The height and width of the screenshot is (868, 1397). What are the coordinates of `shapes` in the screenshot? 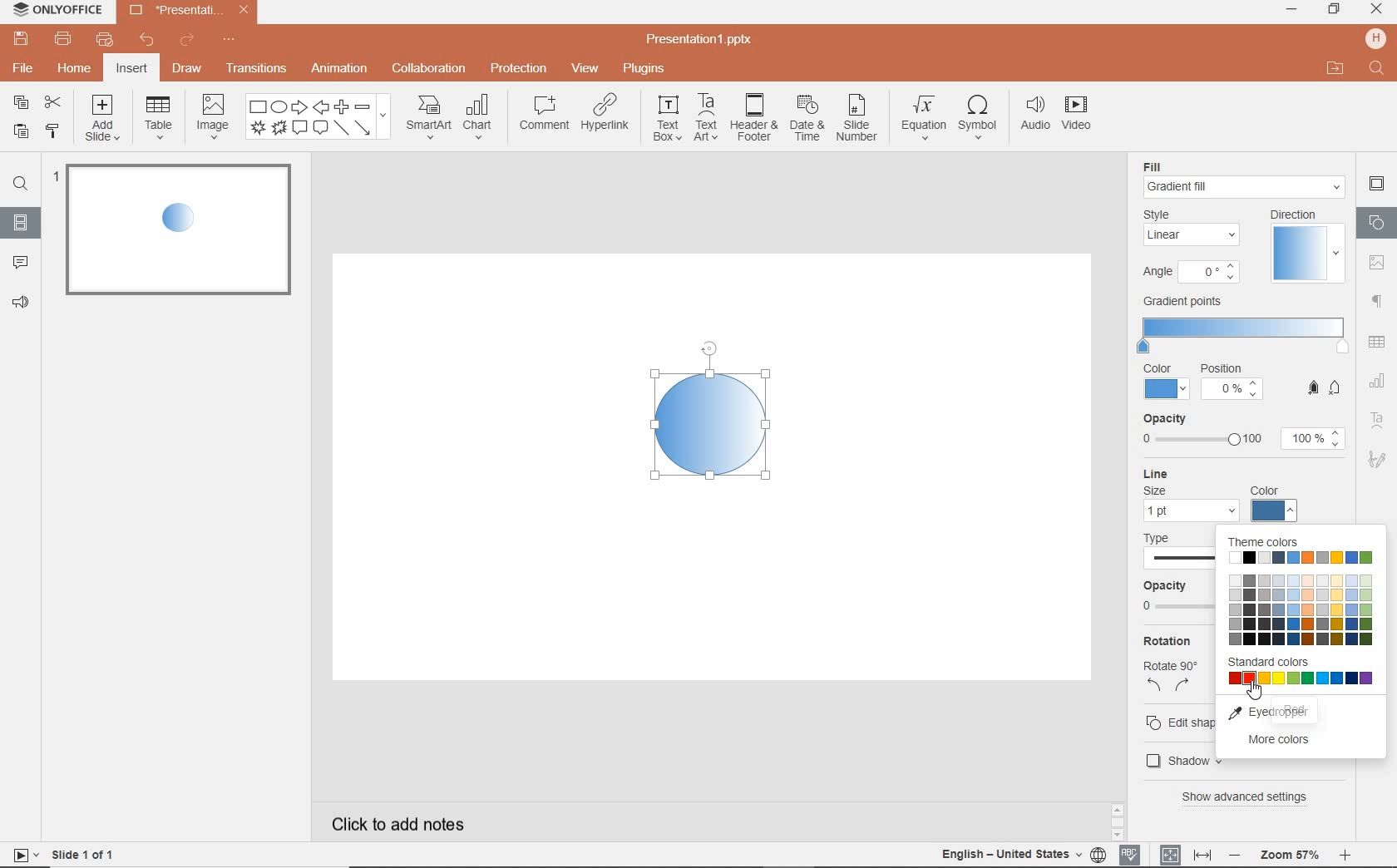 It's located at (318, 117).